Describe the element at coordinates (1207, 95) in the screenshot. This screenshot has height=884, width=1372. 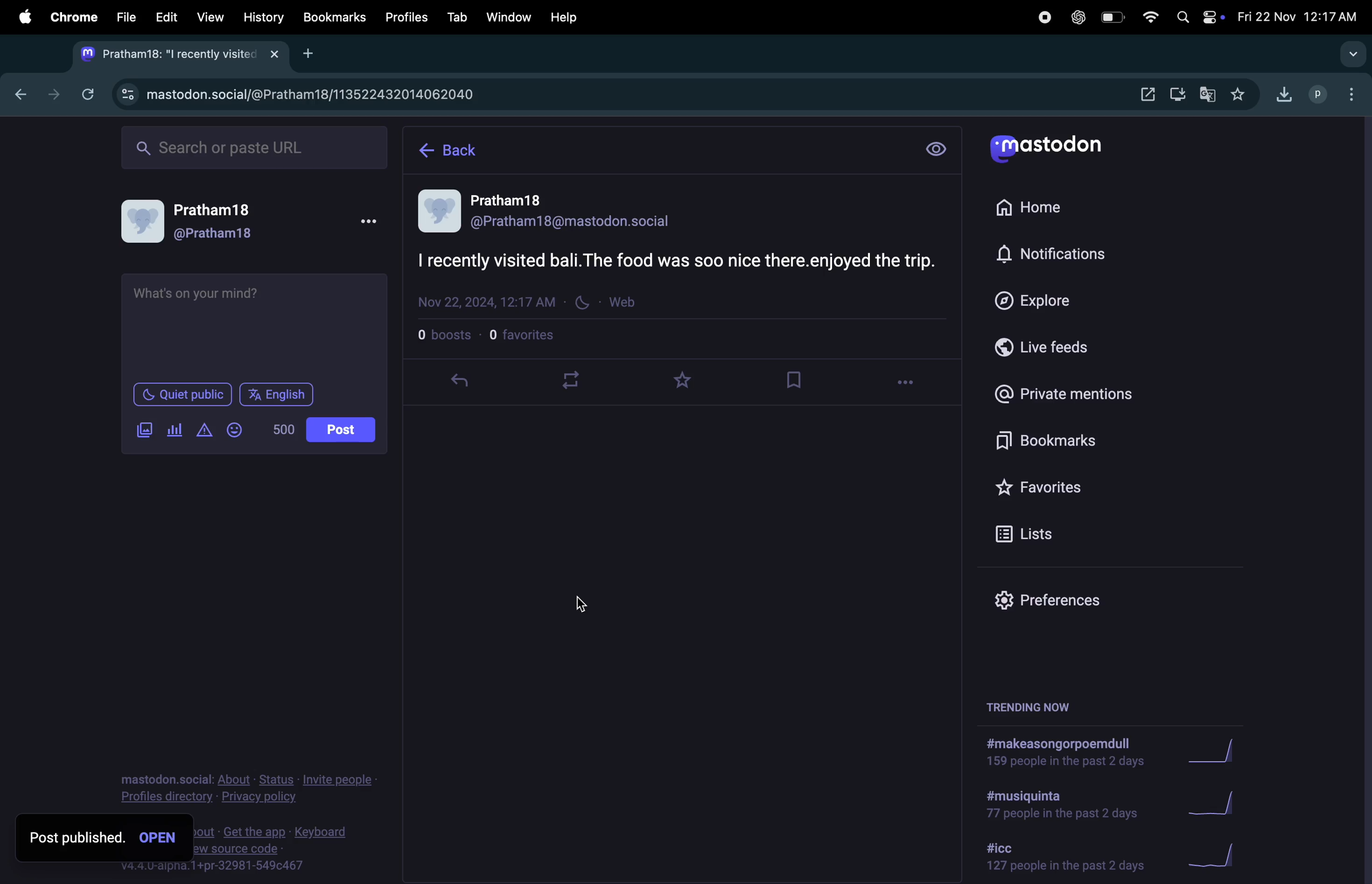
I see `translate` at that location.